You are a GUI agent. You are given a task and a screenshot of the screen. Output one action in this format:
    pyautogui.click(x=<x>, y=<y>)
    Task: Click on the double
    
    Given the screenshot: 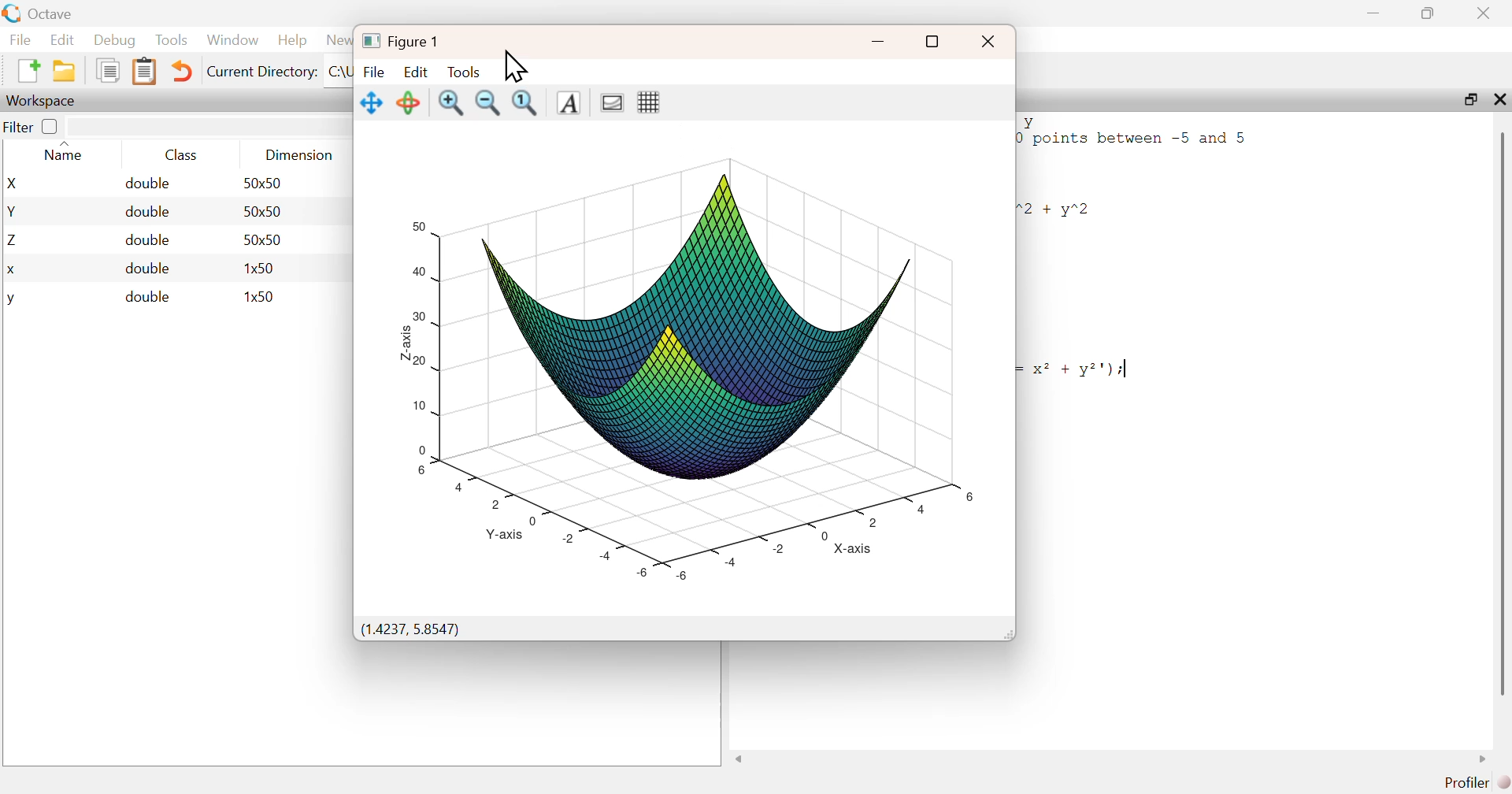 What is the action you would take?
    pyautogui.click(x=149, y=184)
    